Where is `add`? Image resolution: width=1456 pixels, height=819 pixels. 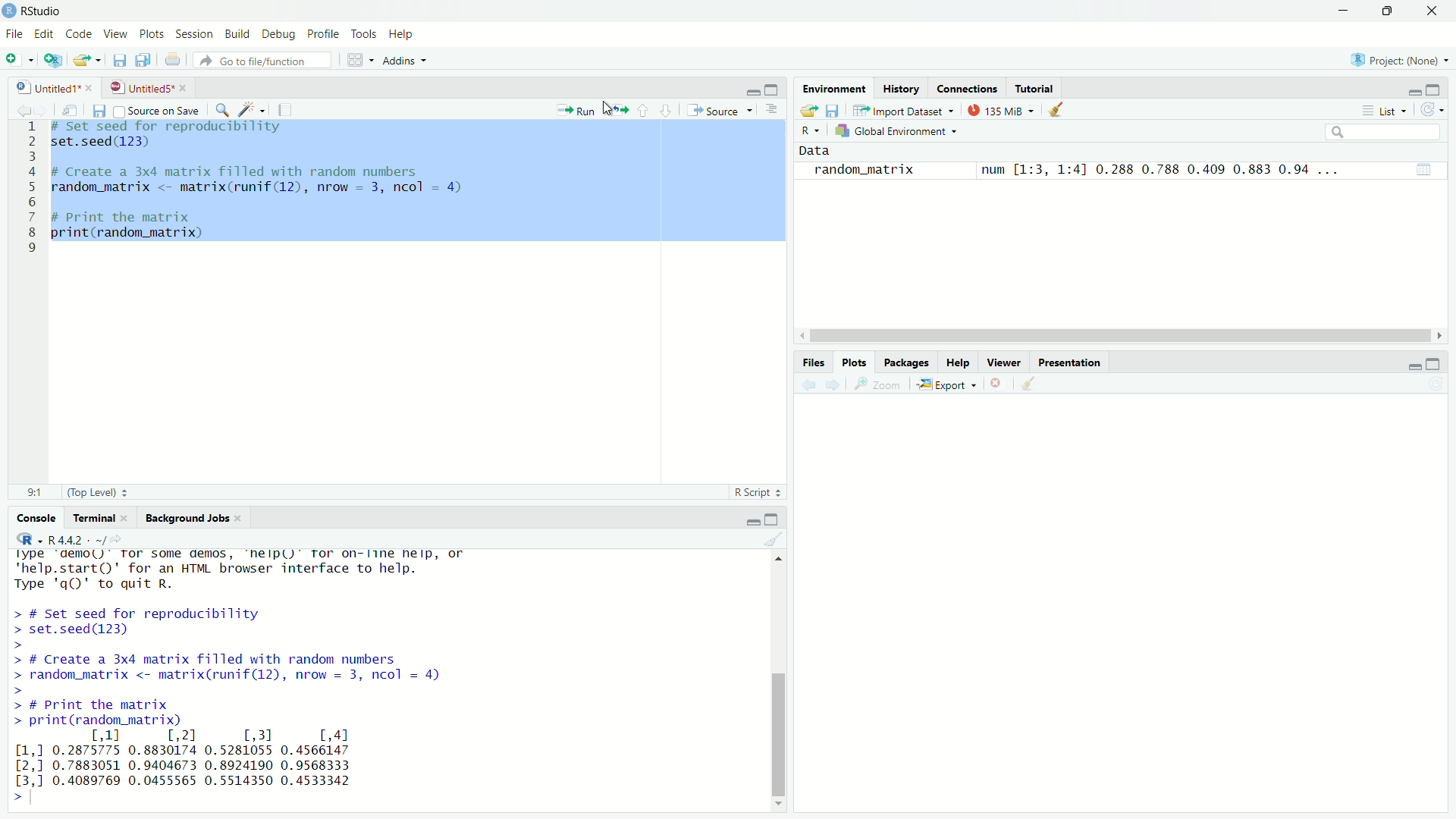
add is located at coordinates (15, 60).